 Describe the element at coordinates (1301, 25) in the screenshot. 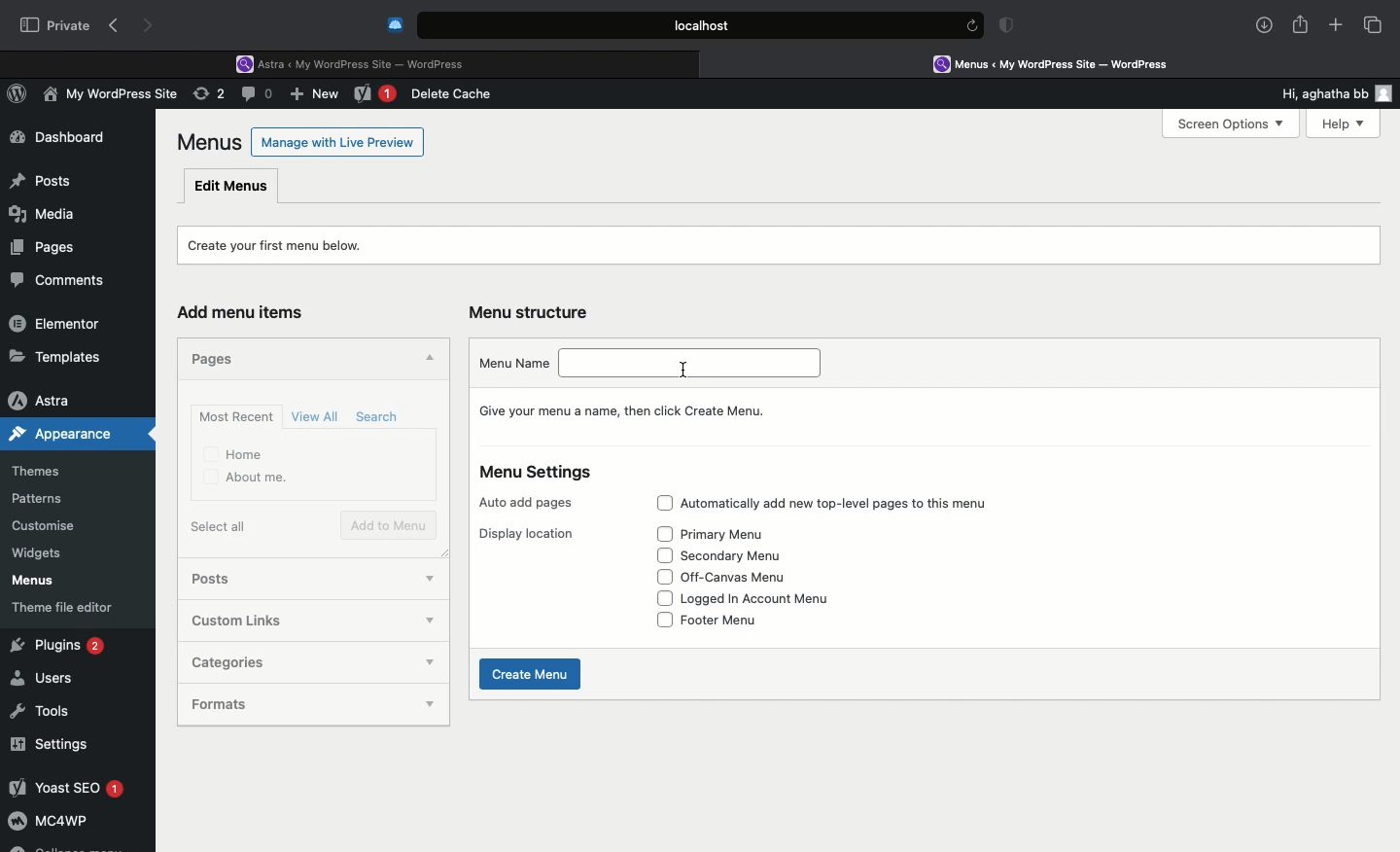

I see `Share` at that location.